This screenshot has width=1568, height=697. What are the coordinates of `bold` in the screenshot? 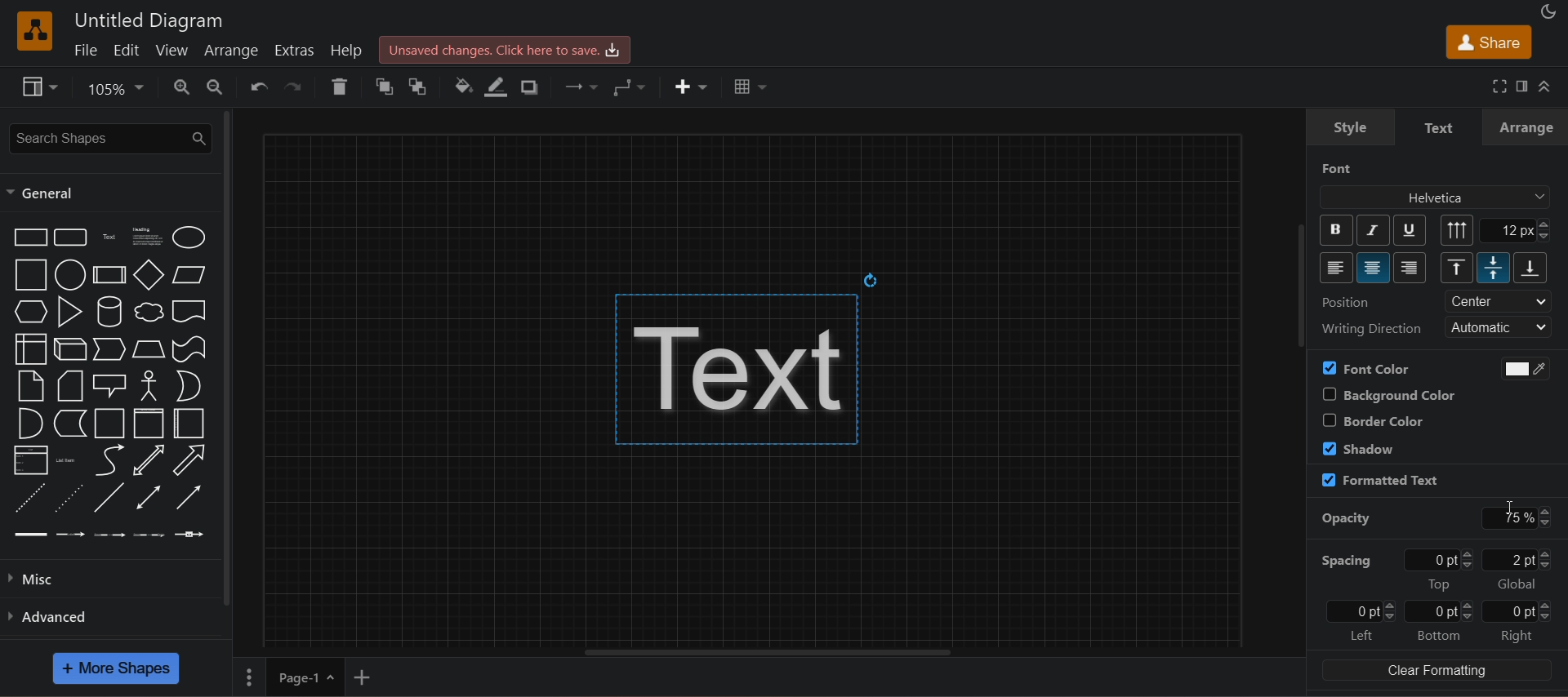 It's located at (1337, 230).